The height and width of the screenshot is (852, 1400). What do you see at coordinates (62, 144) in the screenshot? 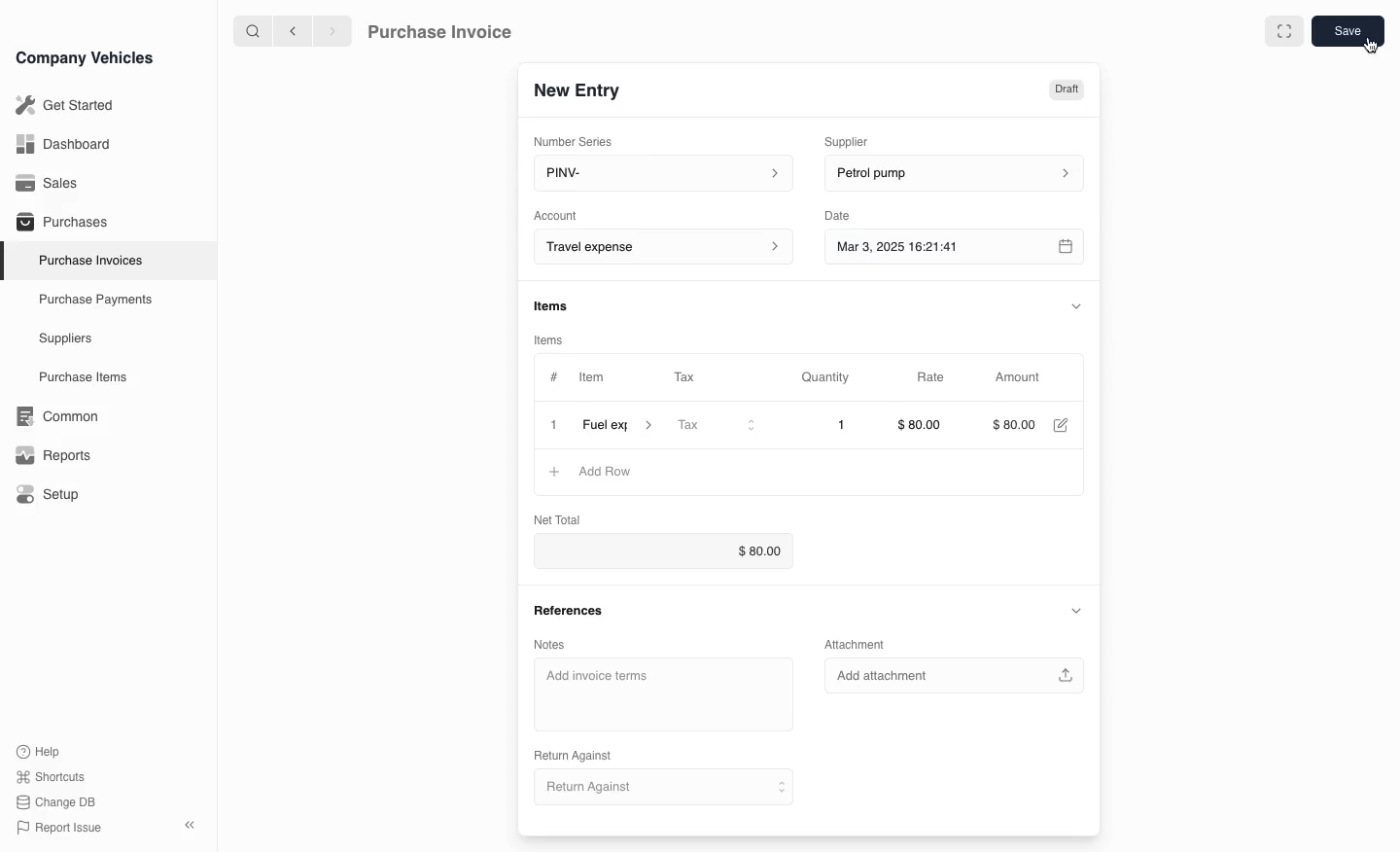
I see `Dashboard` at bounding box center [62, 144].